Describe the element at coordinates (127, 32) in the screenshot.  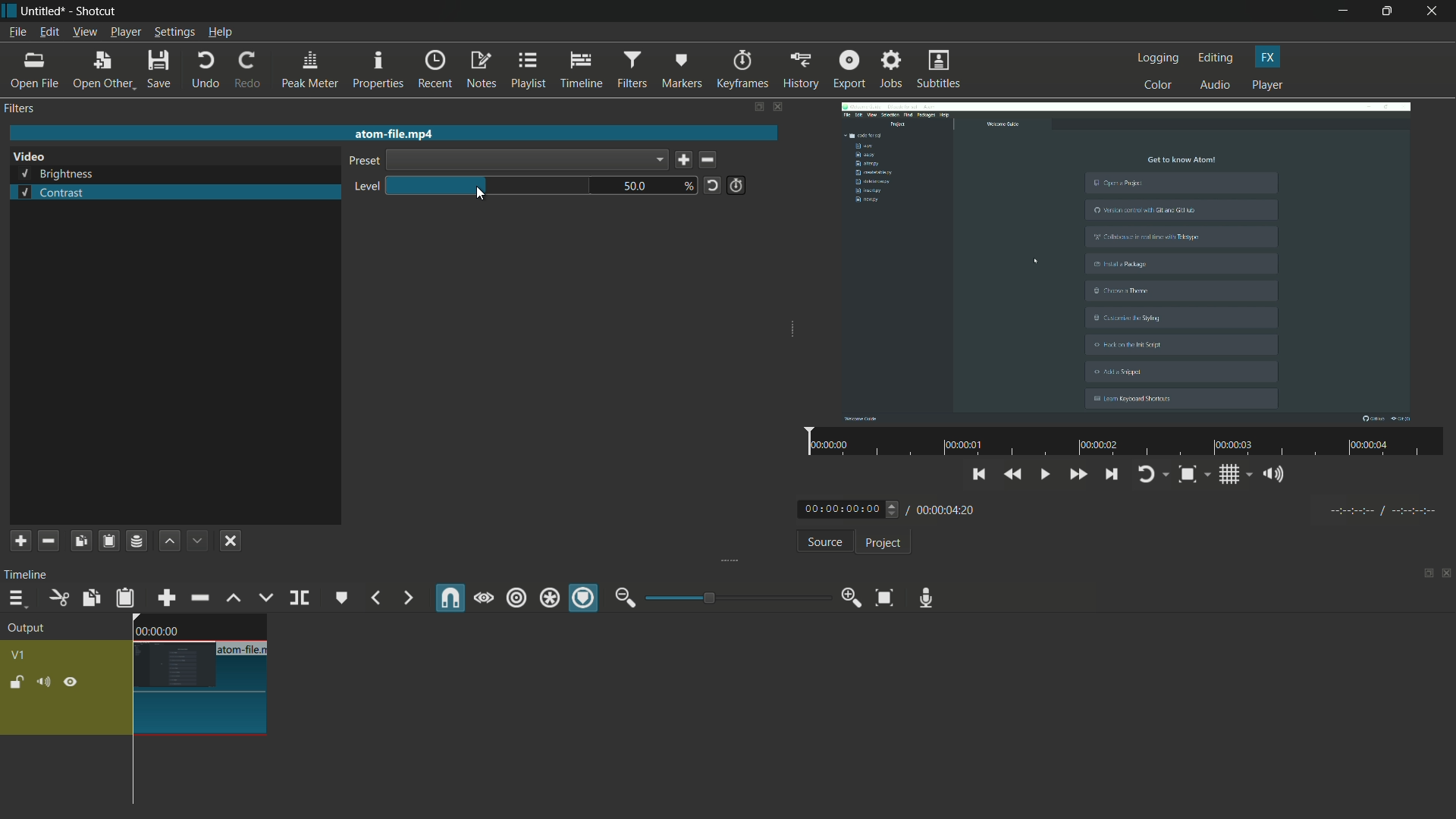
I see `player menu` at that location.